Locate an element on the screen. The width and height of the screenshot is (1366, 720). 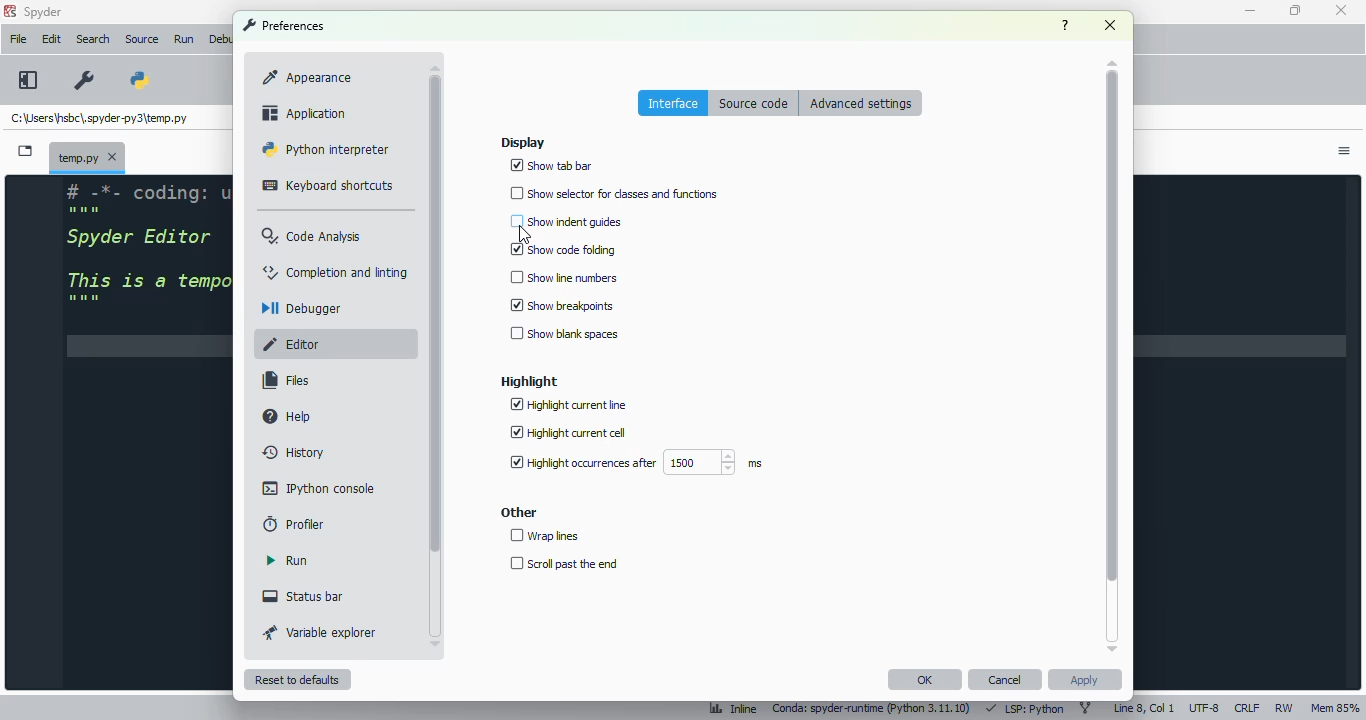
highlight current line is located at coordinates (568, 404).